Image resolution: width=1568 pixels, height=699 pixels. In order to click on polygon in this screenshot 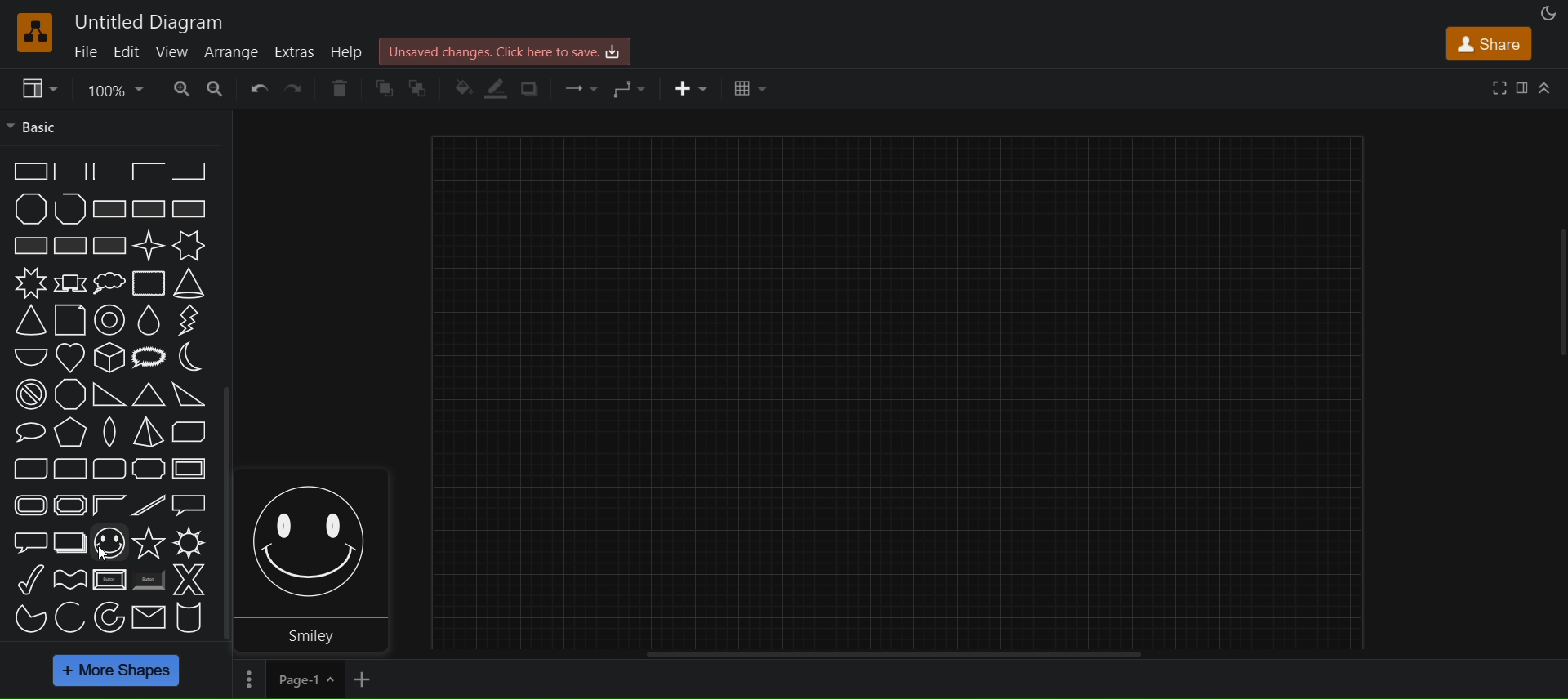, I will do `click(31, 209)`.